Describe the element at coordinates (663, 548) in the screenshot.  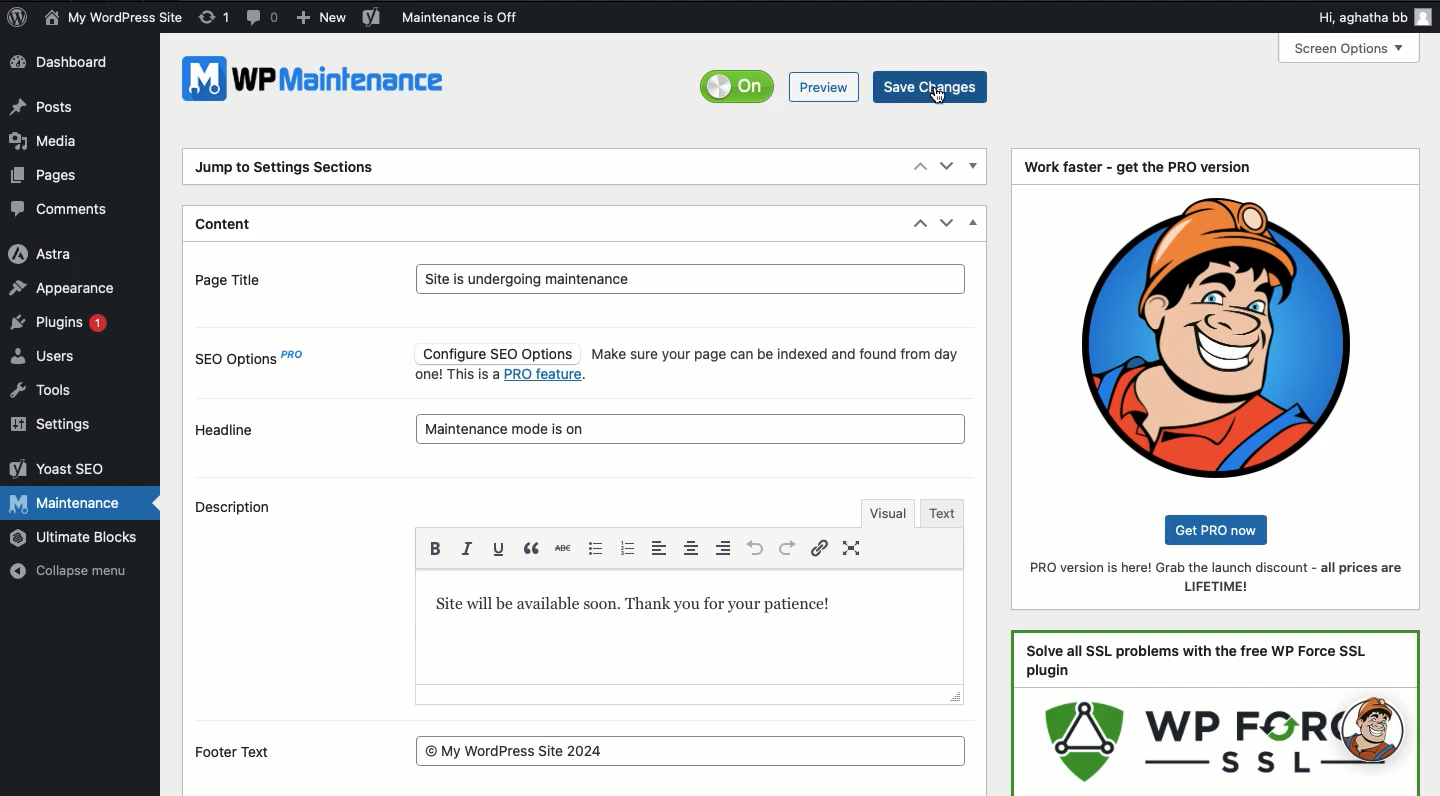
I see `Left aligned` at that location.